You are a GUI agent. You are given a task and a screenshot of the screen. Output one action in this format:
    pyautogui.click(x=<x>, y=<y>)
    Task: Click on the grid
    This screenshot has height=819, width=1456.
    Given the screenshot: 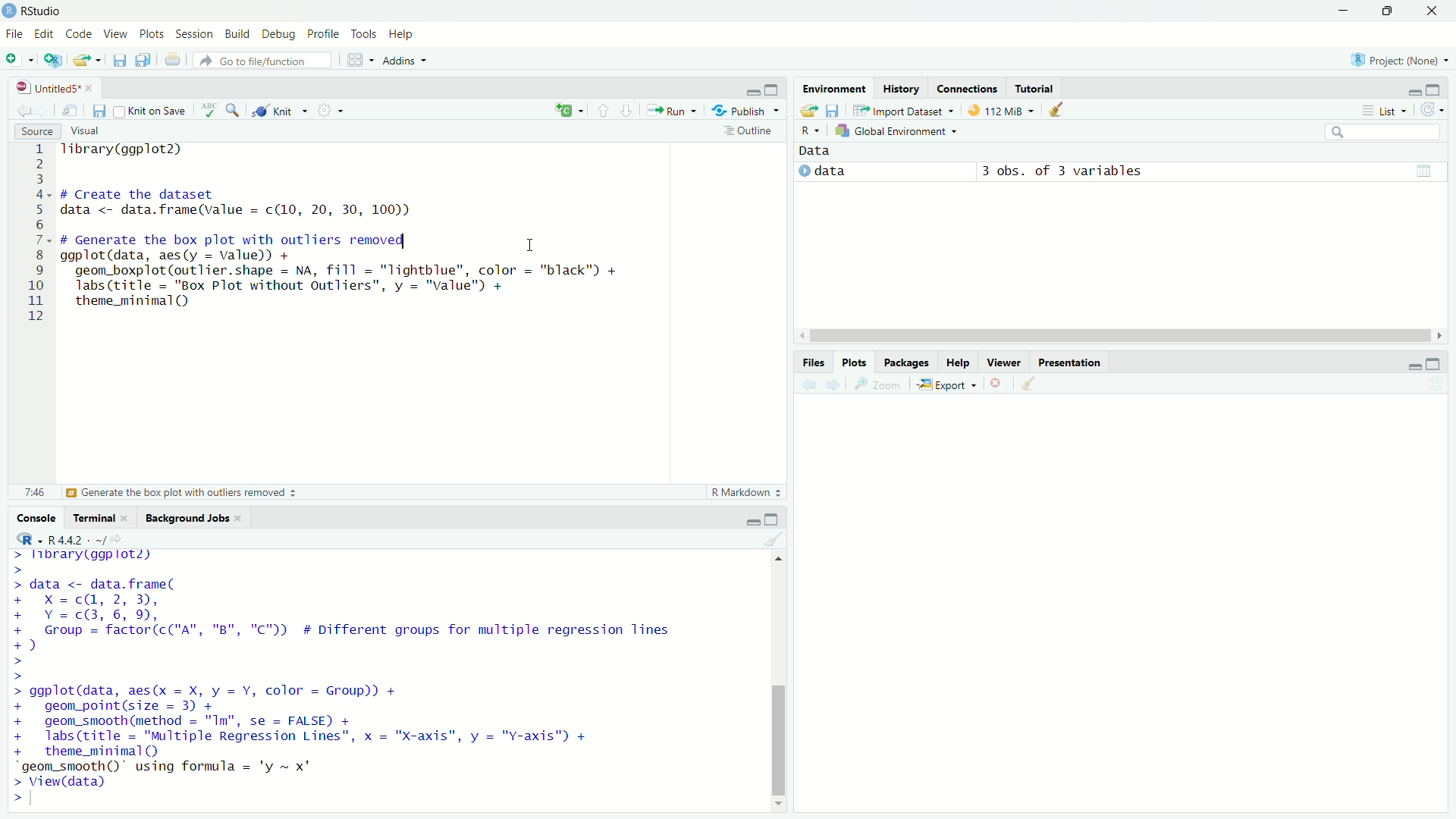 What is the action you would take?
    pyautogui.click(x=354, y=64)
    